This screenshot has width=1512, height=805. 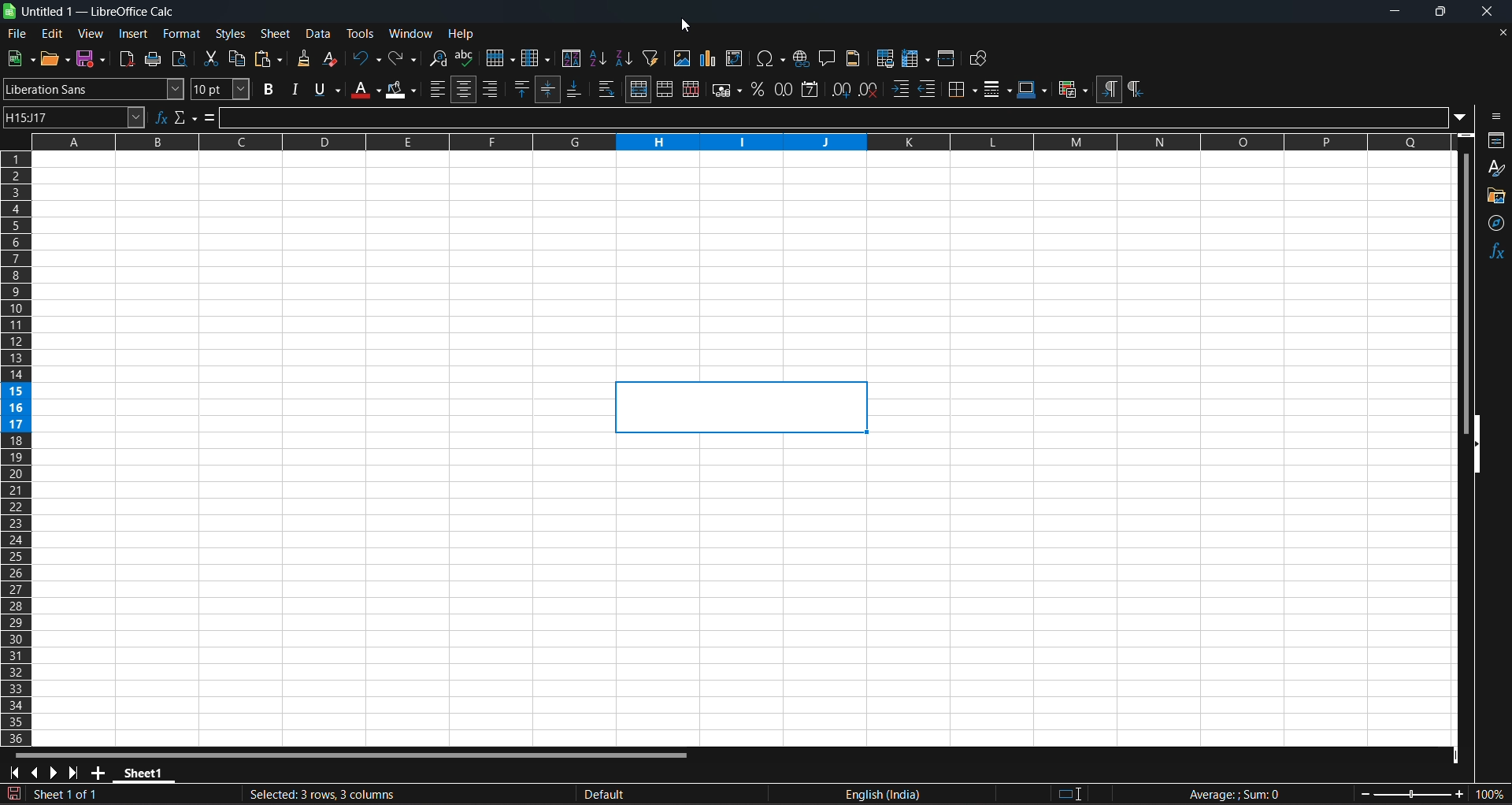 I want to click on insert special characters, so click(x=769, y=57).